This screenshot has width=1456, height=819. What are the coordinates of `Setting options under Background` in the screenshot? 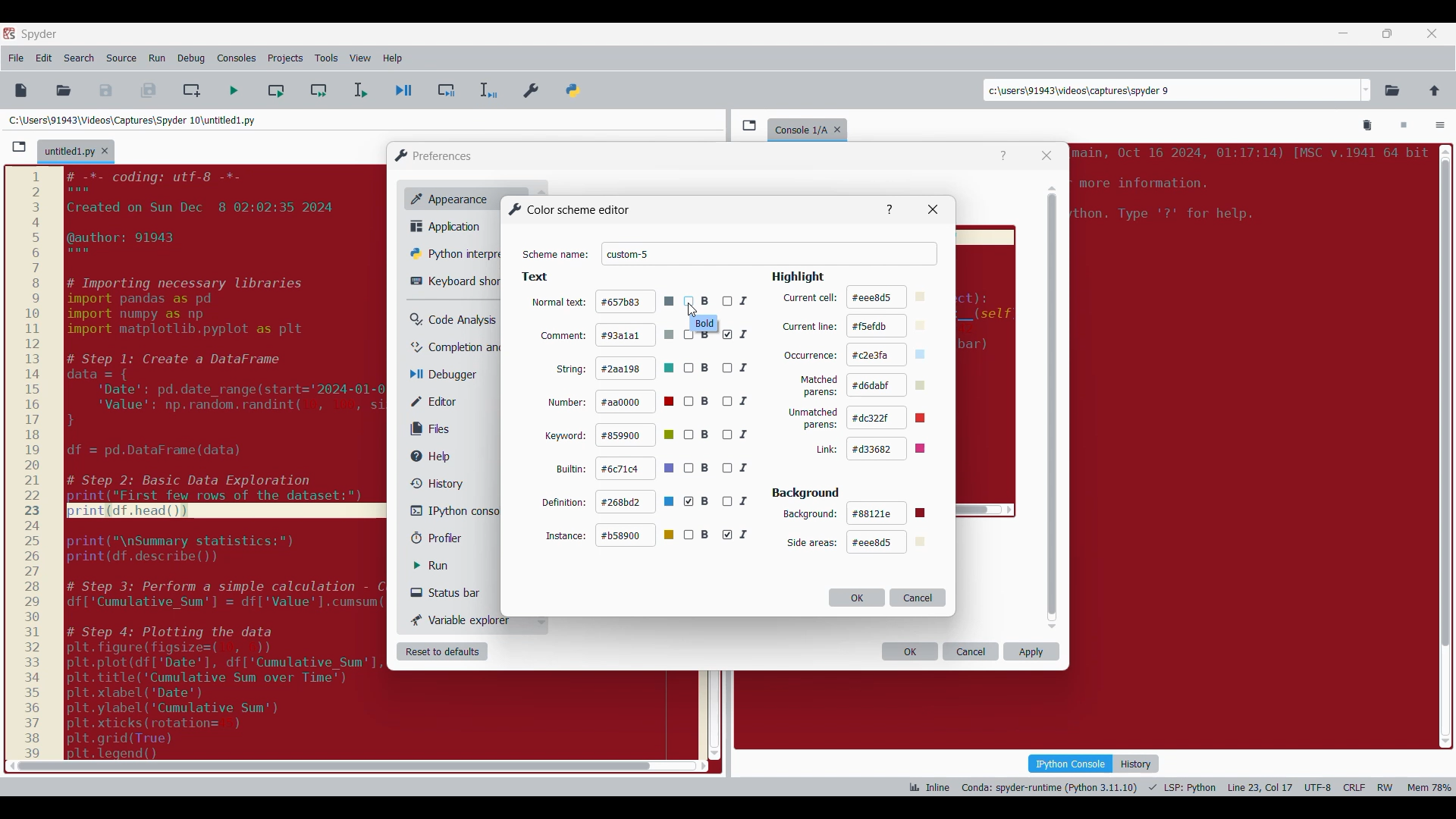 It's located at (810, 543).